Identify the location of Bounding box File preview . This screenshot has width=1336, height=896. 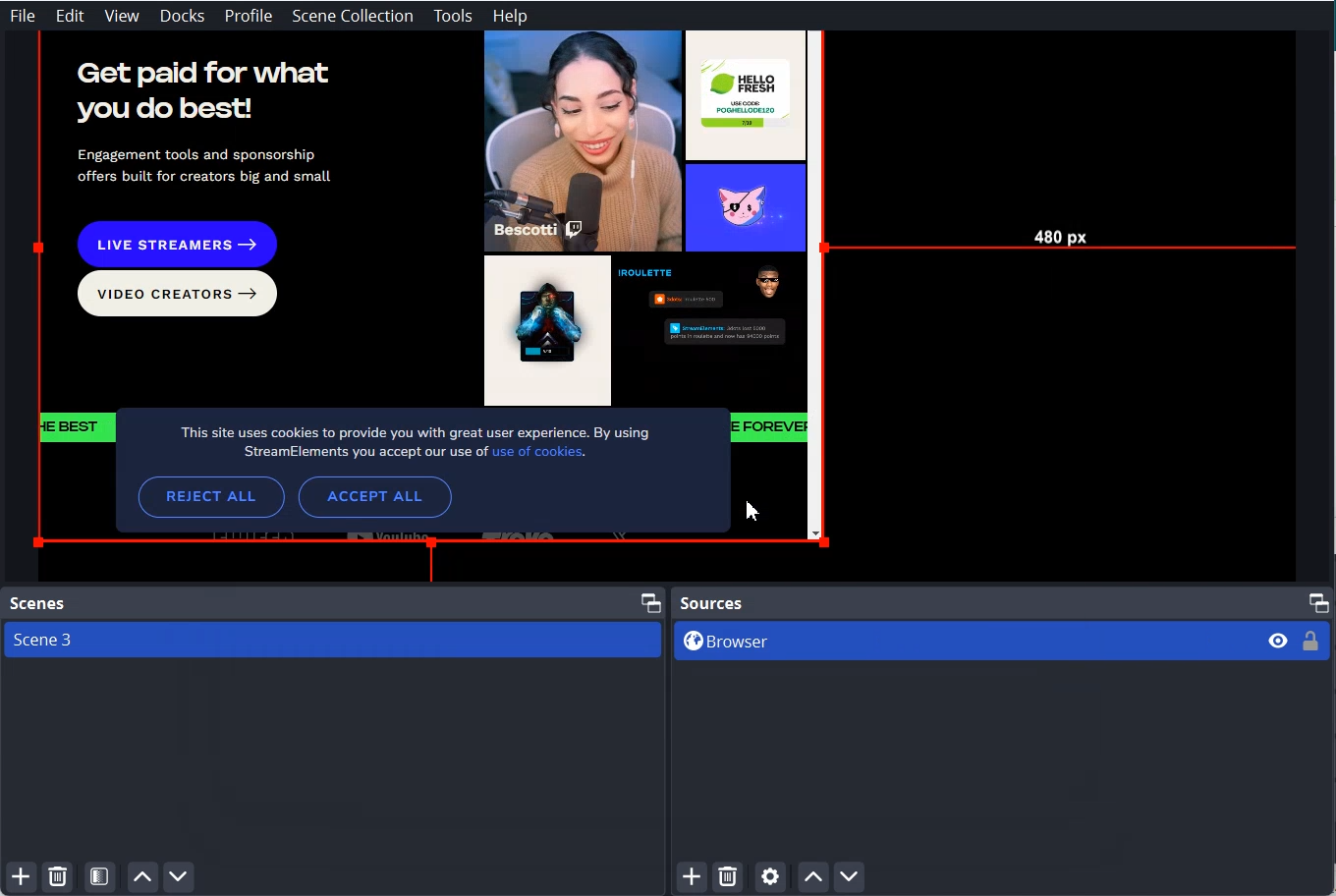
(666, 306).